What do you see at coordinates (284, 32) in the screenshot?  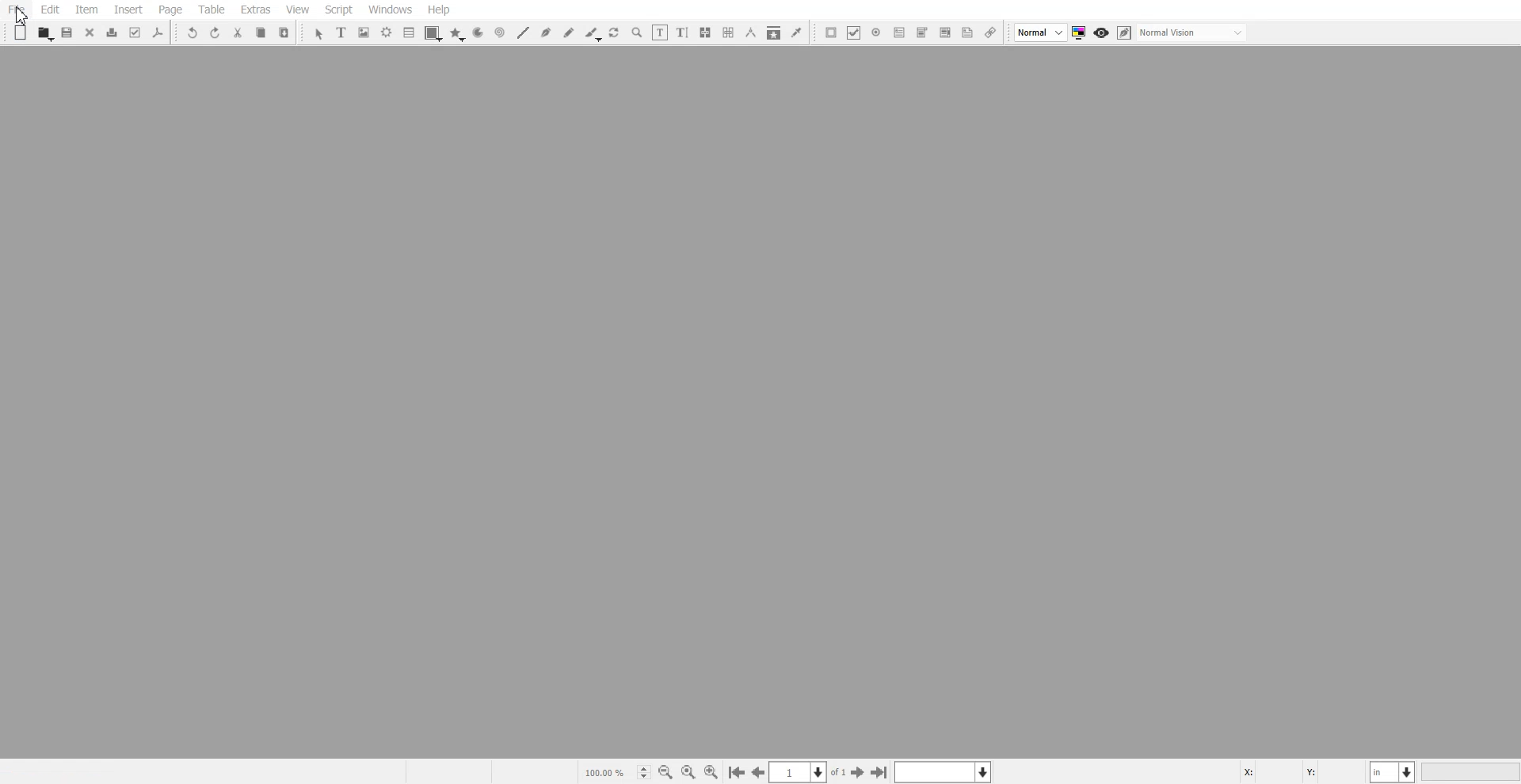 I see `Paste` at bounding box center [284, 32].